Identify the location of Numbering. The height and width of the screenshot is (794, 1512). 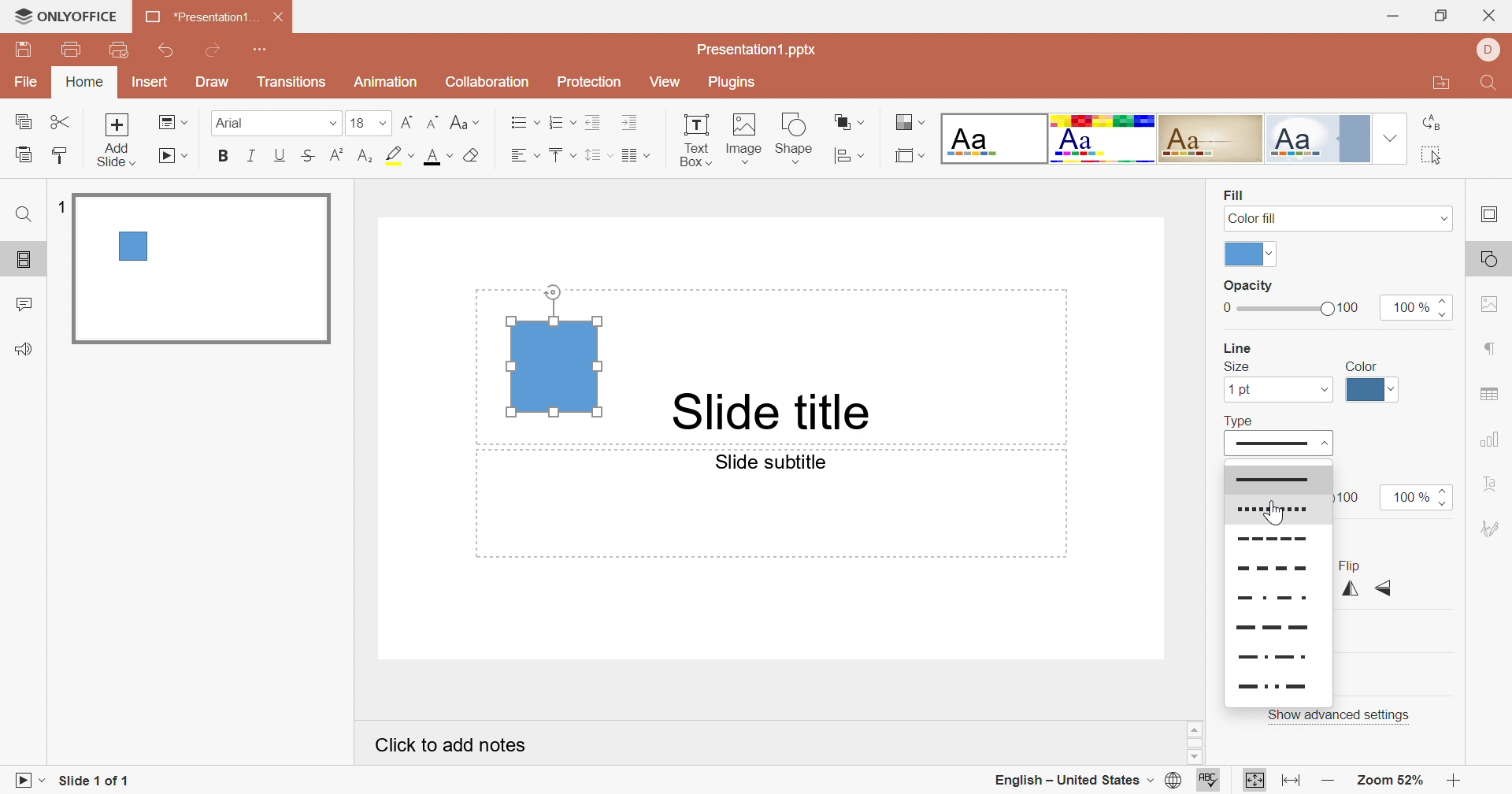
(565, 125).